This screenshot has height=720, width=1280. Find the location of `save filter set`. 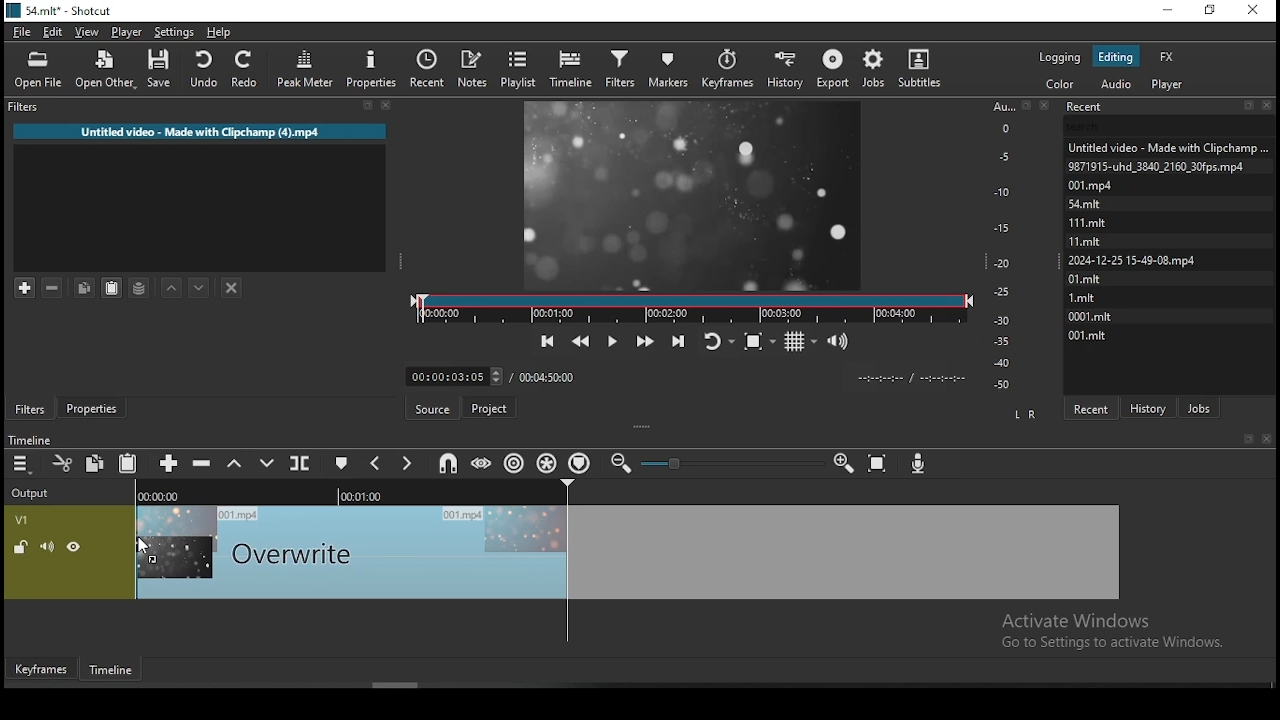

save filter set is located at coordinates (140, 288).